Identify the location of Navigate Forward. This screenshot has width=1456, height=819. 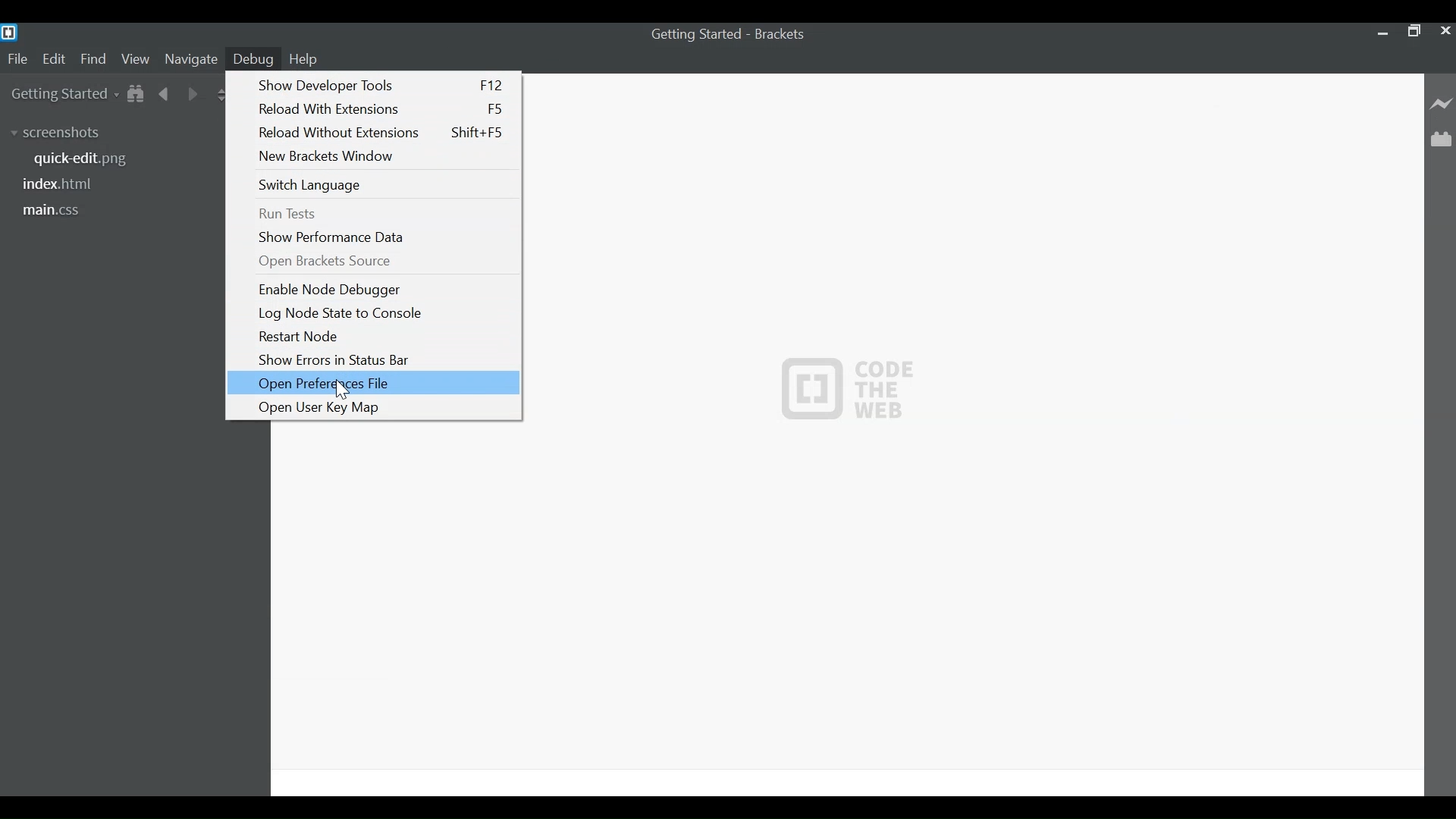
(194, 93).